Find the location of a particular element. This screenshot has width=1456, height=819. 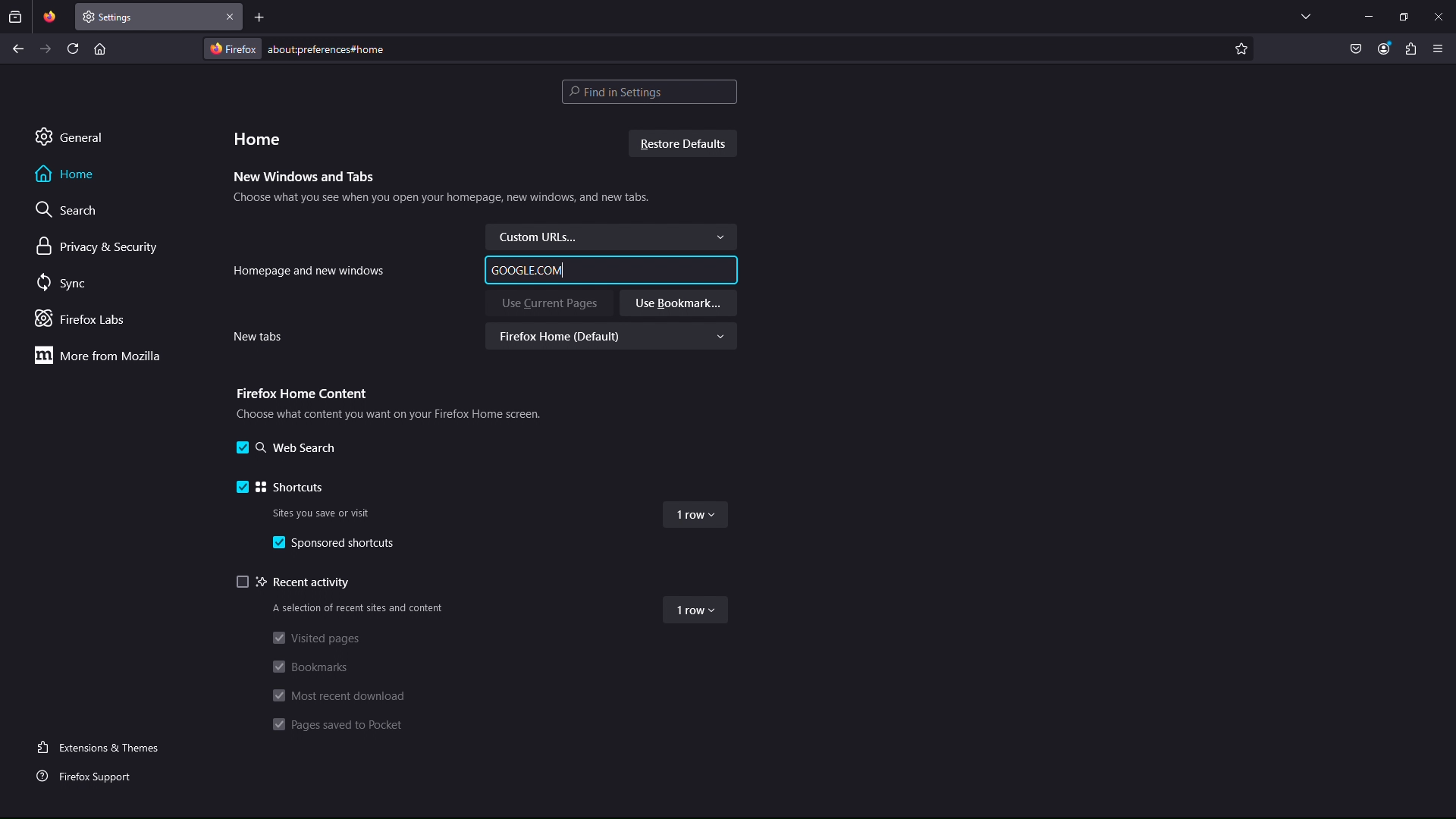

Web Search is located at coordinates (284, 449).